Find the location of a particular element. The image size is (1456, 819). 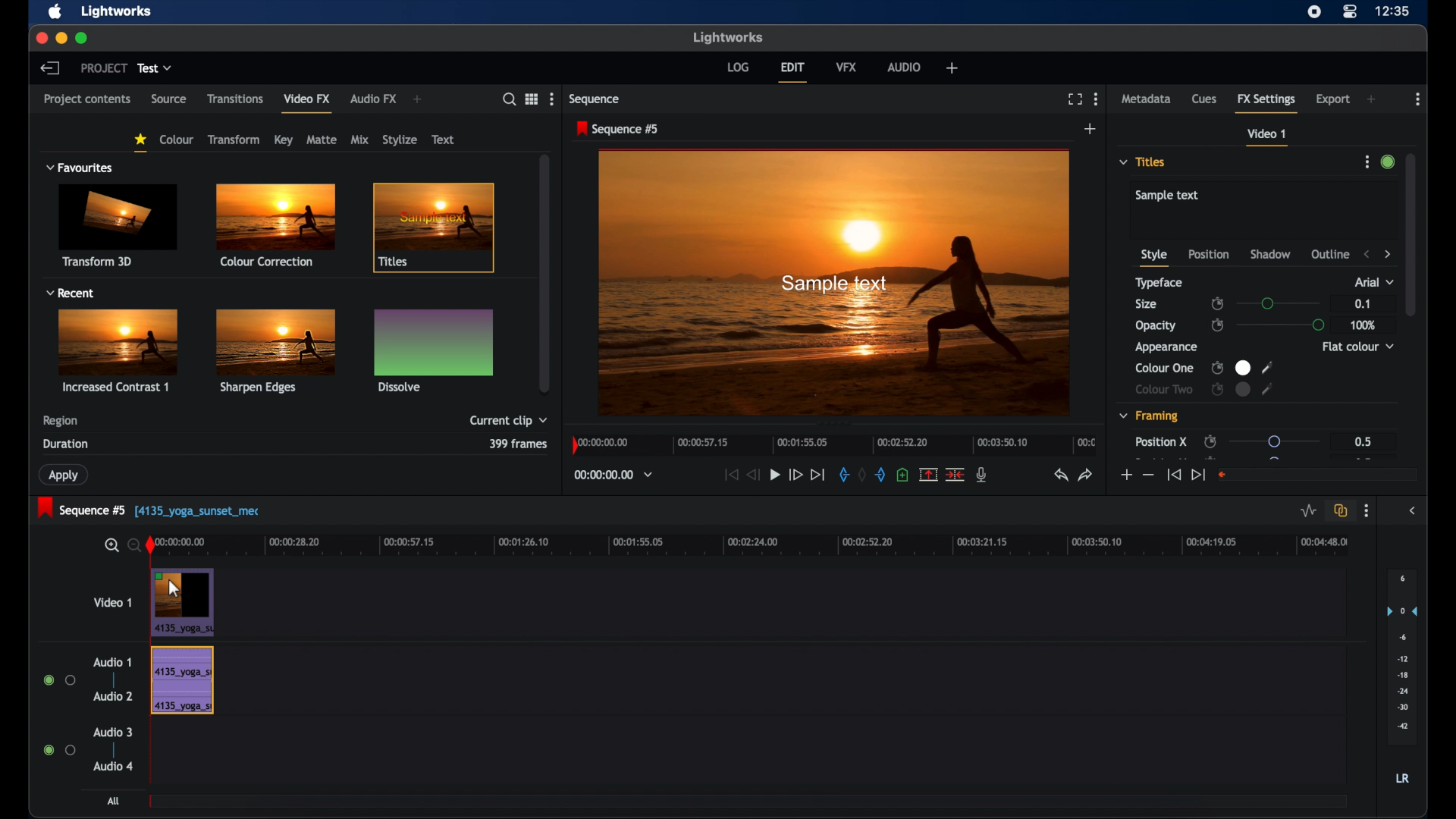

color two is located at coordinates (1162, 389).